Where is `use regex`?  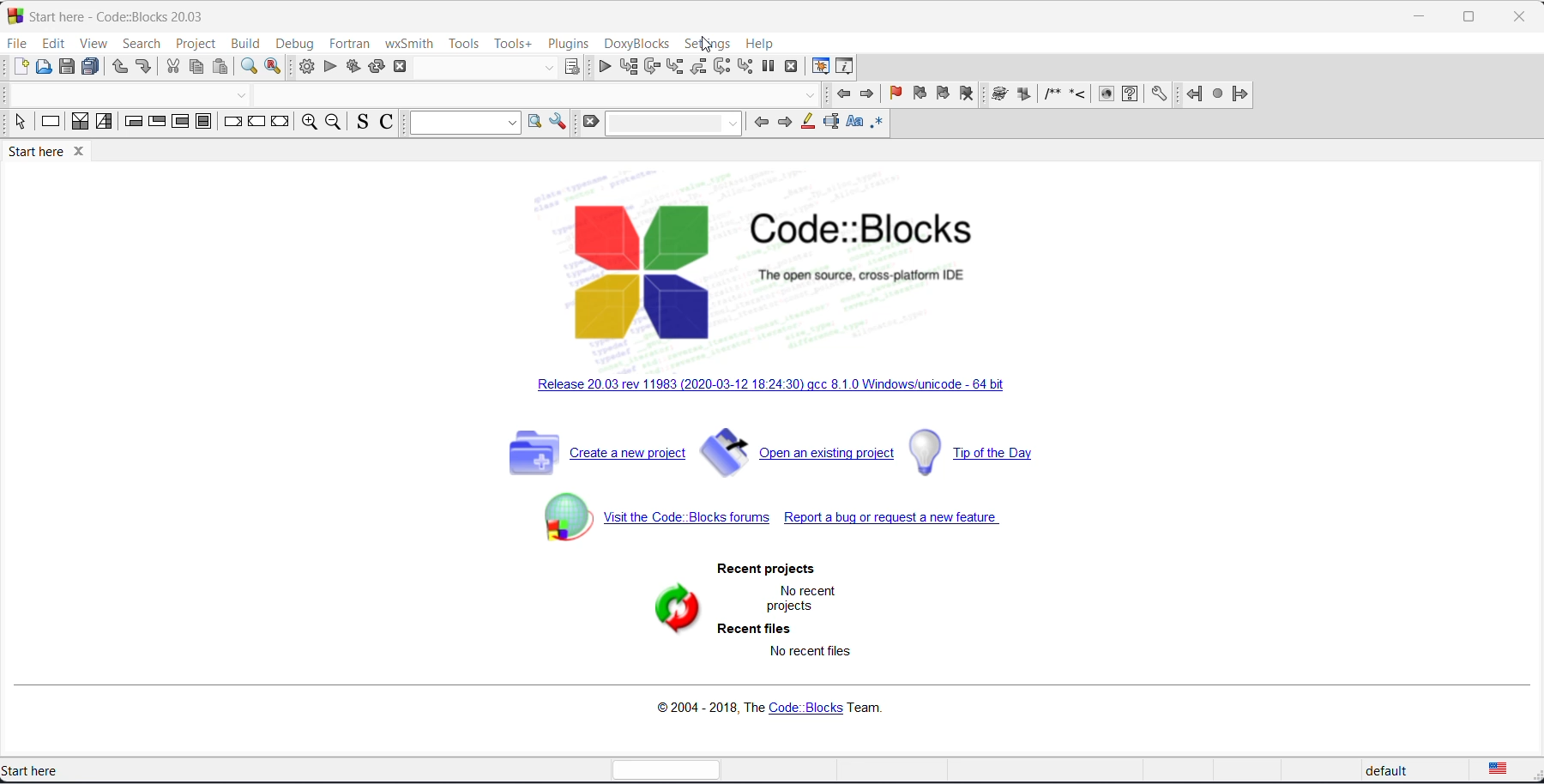
use regex is located at coordinates (878, 122).